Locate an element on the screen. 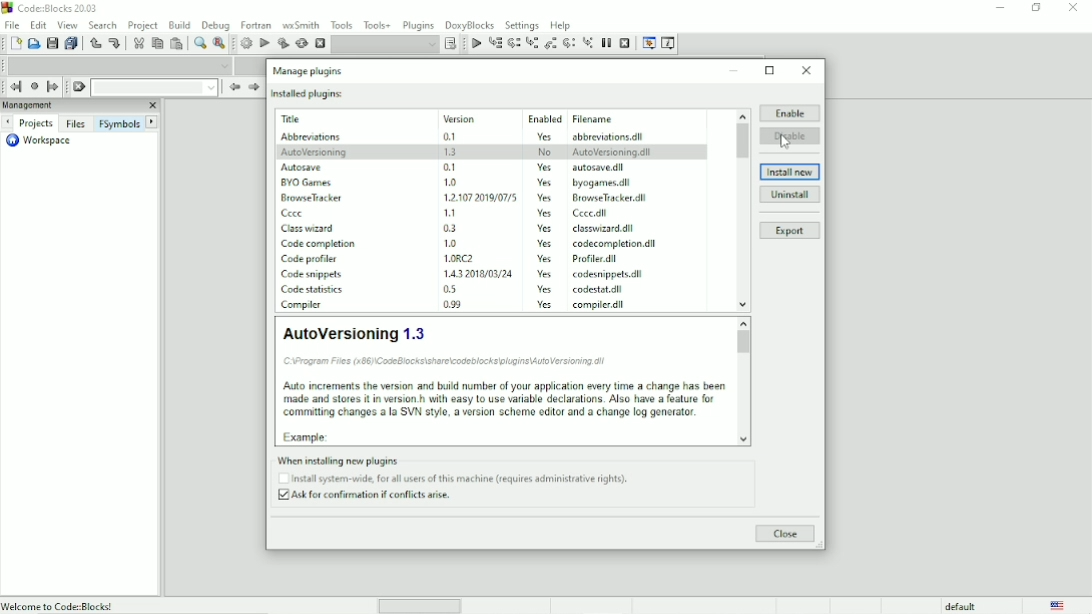 This screenshot has width=1092, height=614. Yes is located at coordinates (545, 259).